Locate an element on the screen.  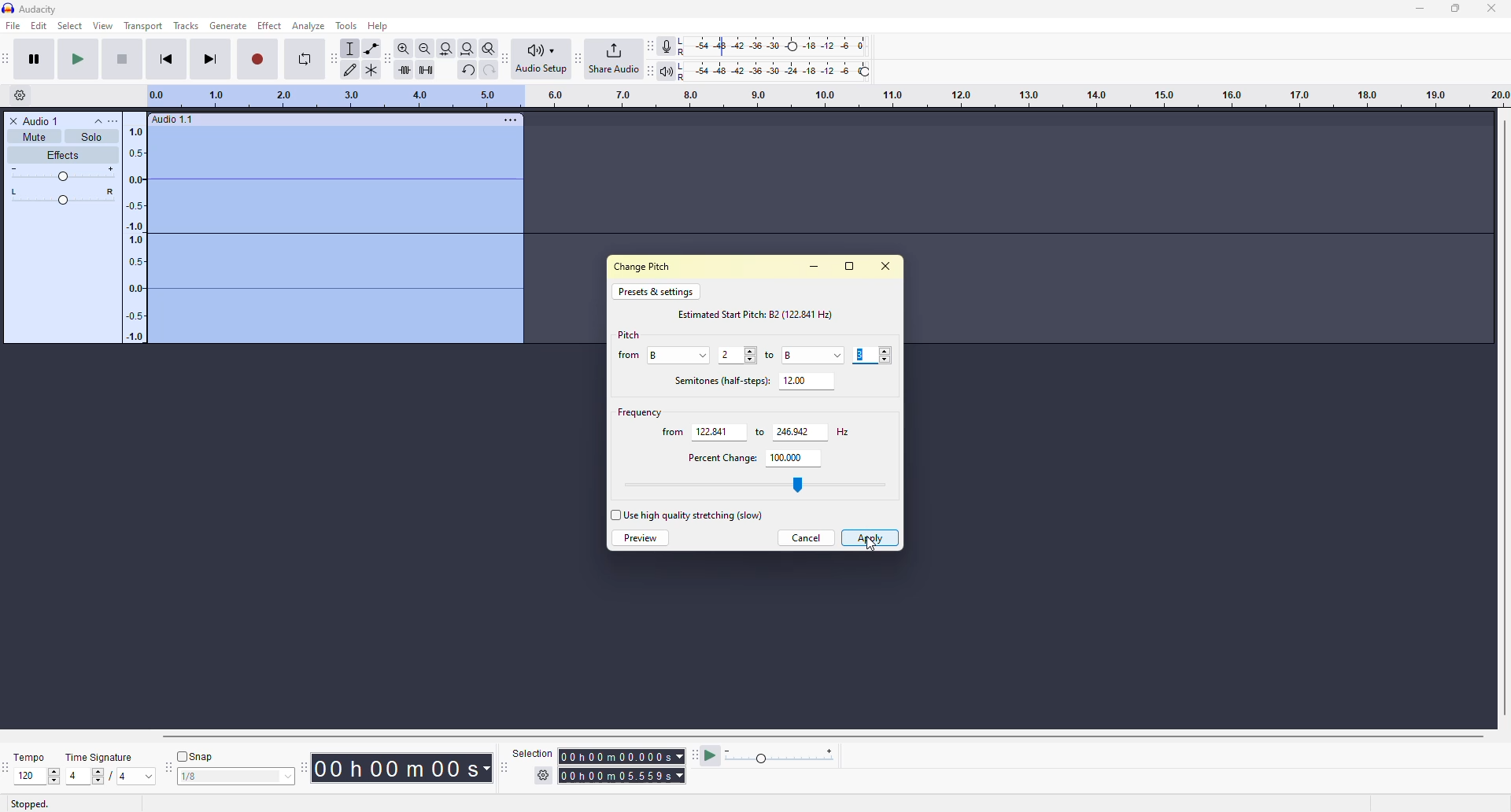
percent is located at coordinates (718, 456).